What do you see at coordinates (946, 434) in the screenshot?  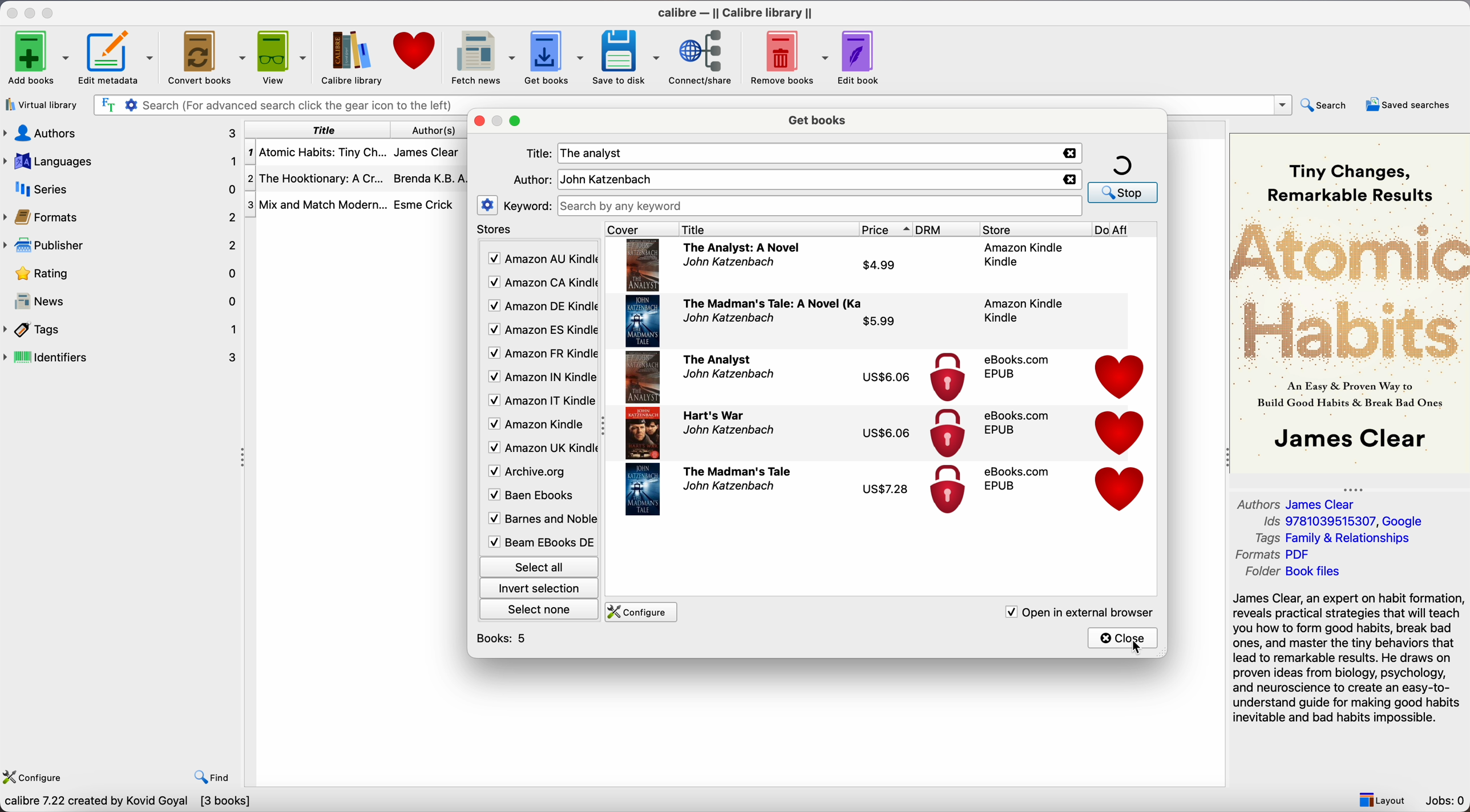 I see `icon` at bounding box center [946, 434].